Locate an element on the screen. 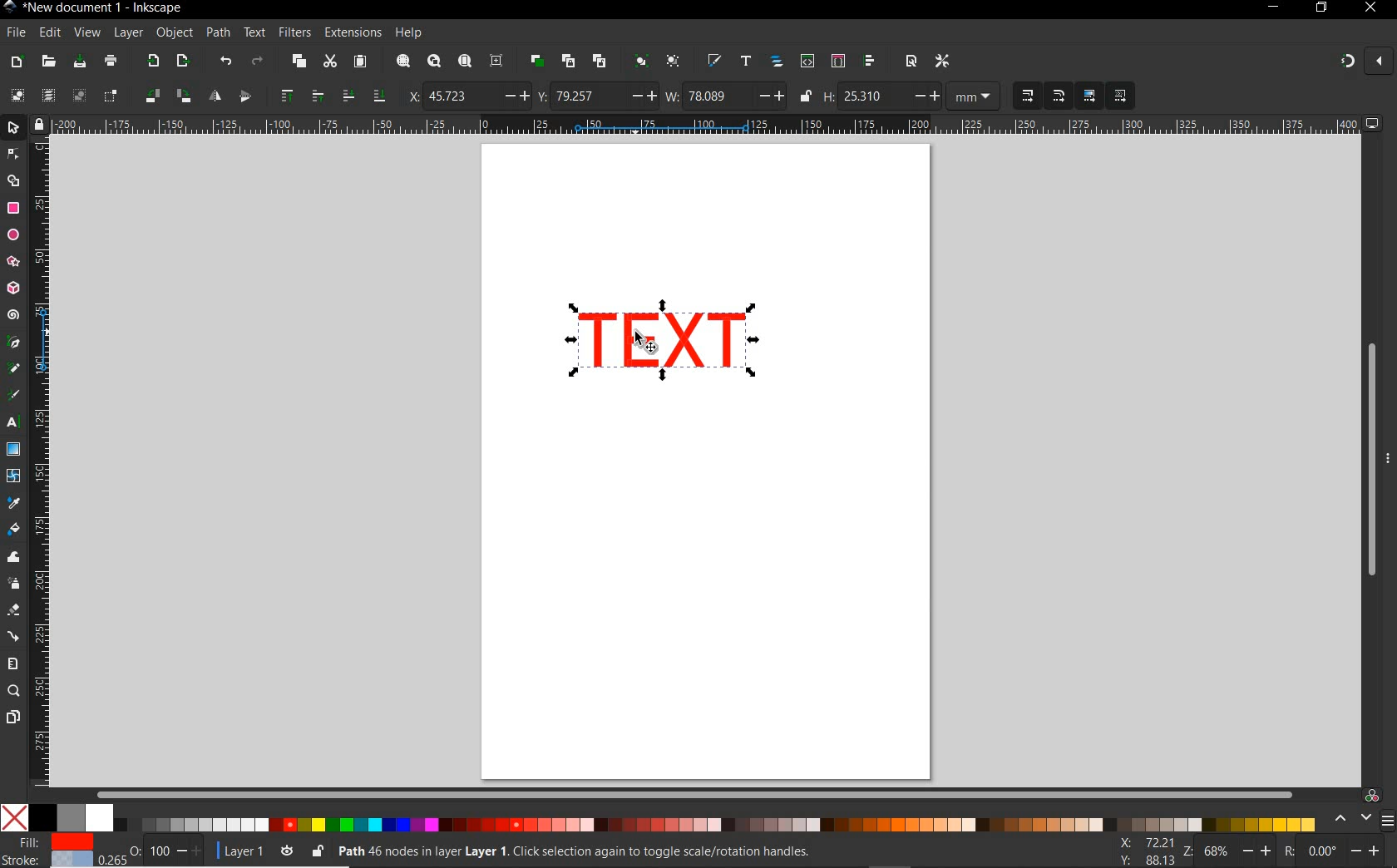 This screenshot has height=868, width=1397. RULER is located at coordinates (42, 463).